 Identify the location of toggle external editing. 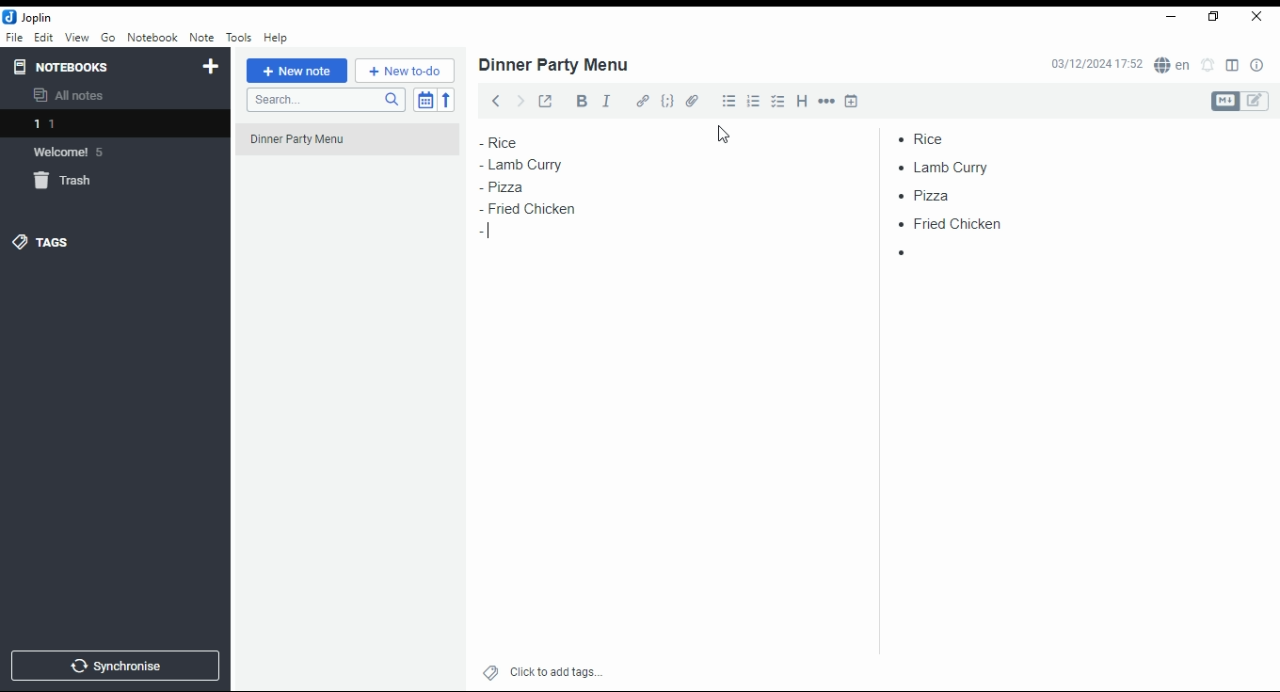
(544, 100).